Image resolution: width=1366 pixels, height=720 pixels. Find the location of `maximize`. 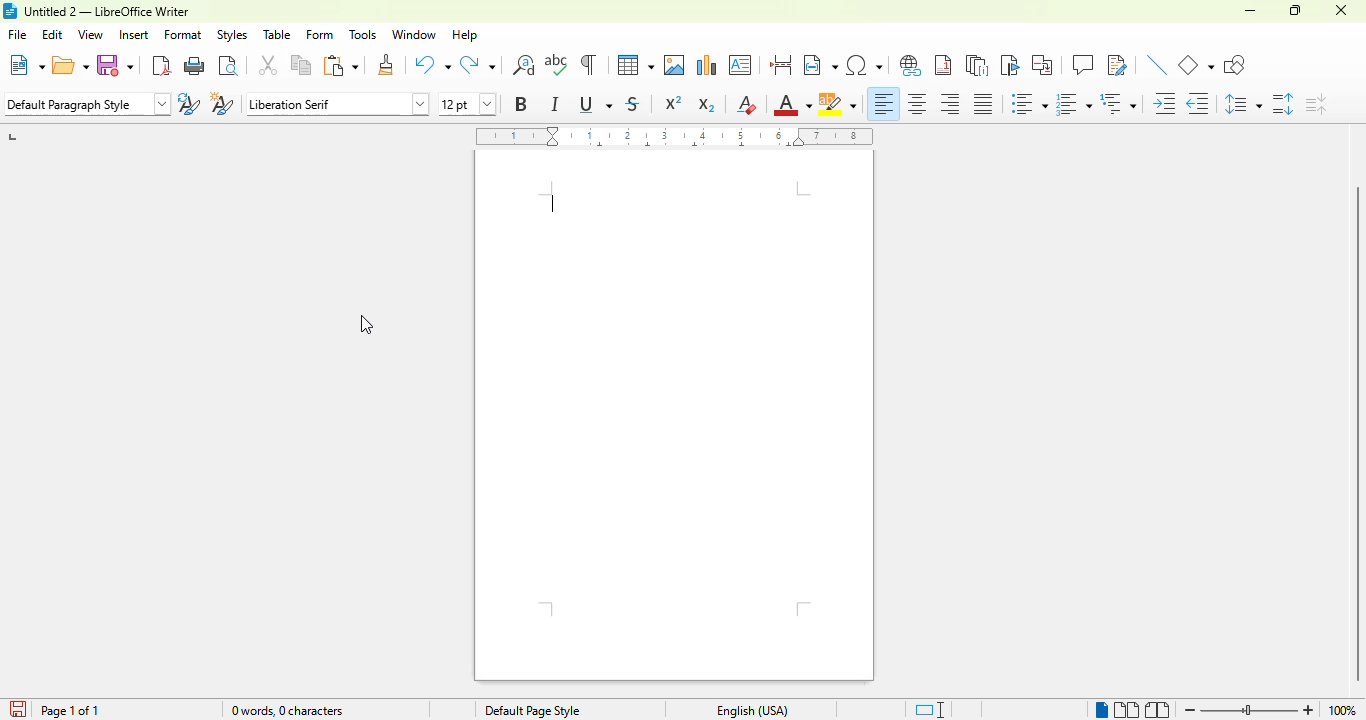

maximize is located at coordinates (1294, 10).